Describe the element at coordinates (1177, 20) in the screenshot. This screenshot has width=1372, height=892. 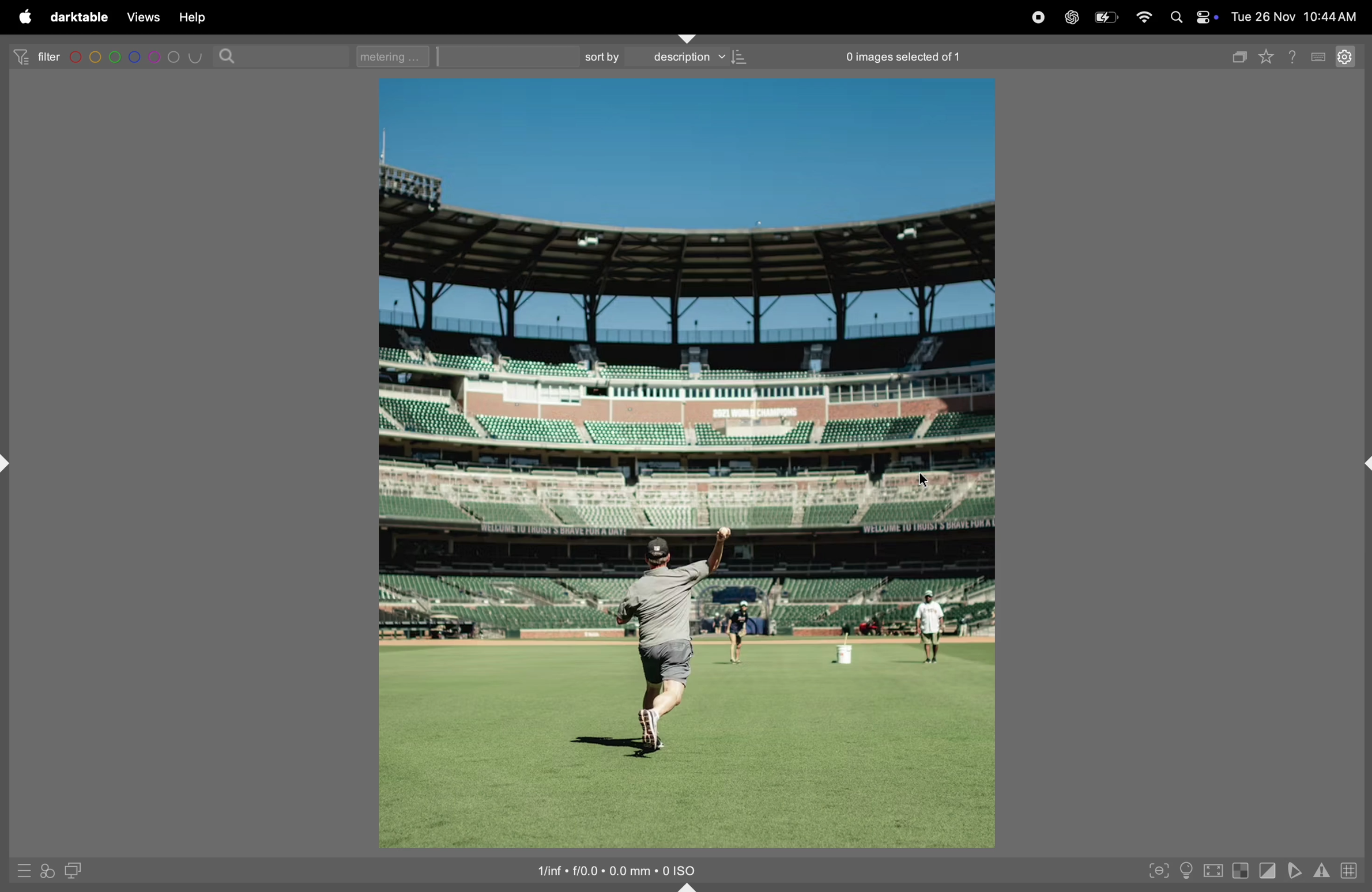
I see `spotlight search` at that location.